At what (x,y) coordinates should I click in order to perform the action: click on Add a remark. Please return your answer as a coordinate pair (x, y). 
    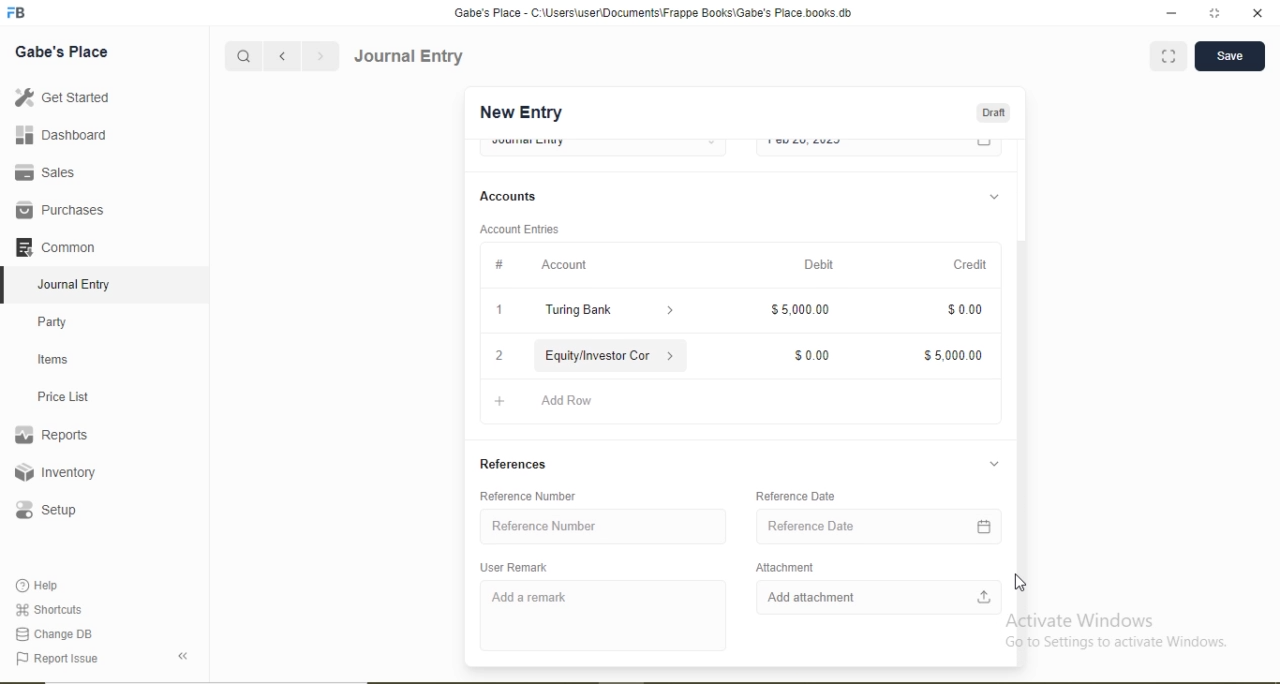
    Looking at the image, I should click on (530, 598).